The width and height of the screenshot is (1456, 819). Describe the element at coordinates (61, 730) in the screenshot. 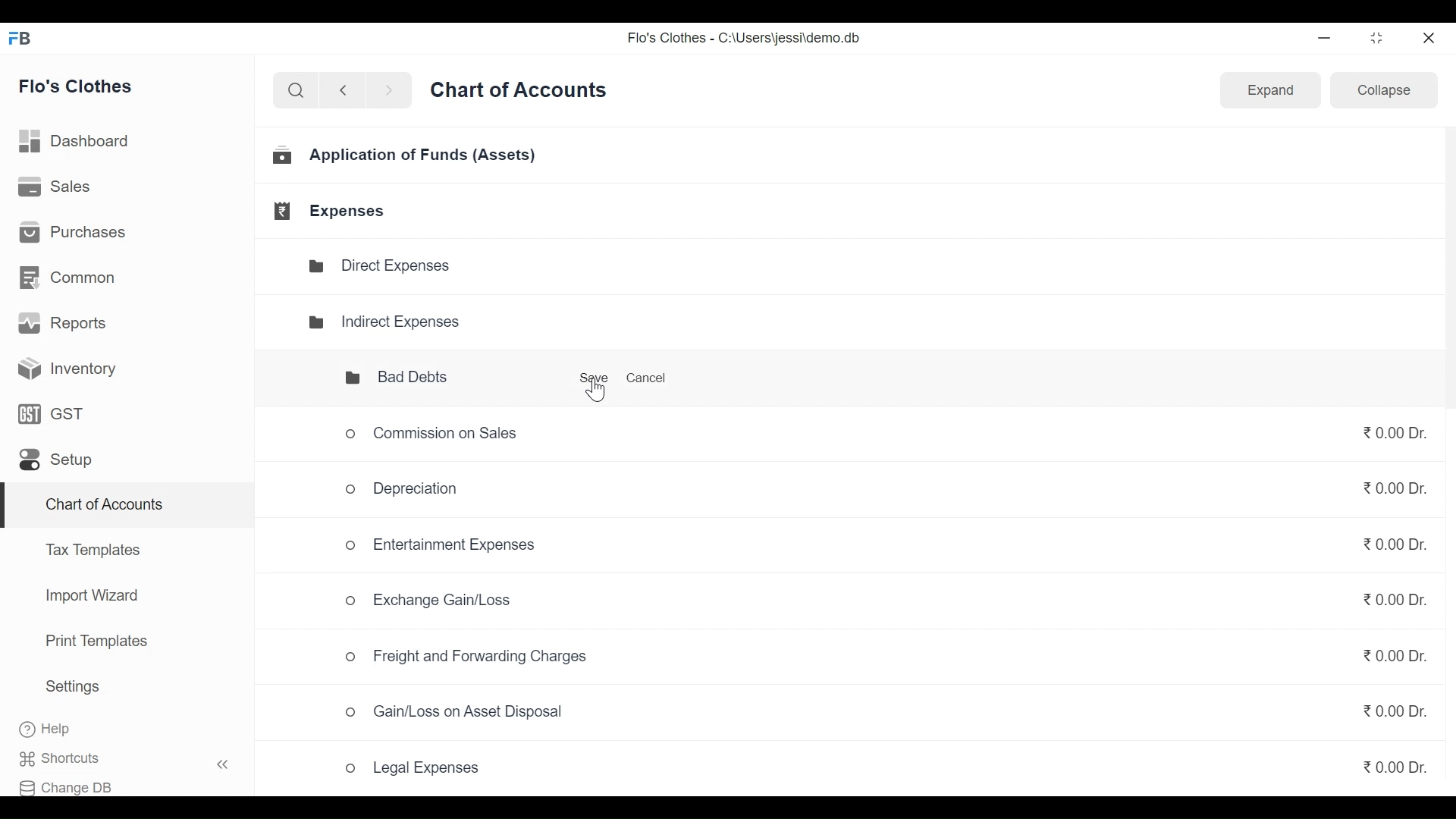

I see `Help` at that location.